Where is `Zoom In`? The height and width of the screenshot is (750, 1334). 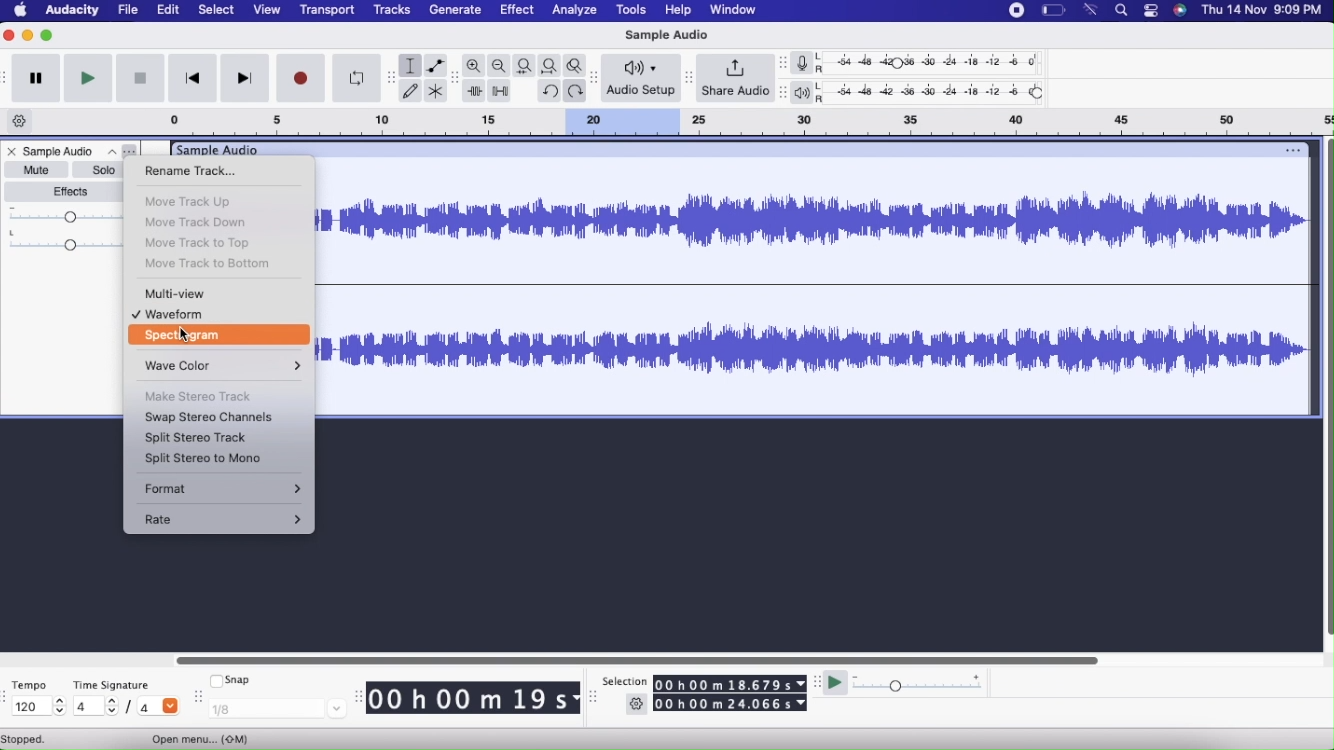
Zoom In is located at coordinates (473, 64).